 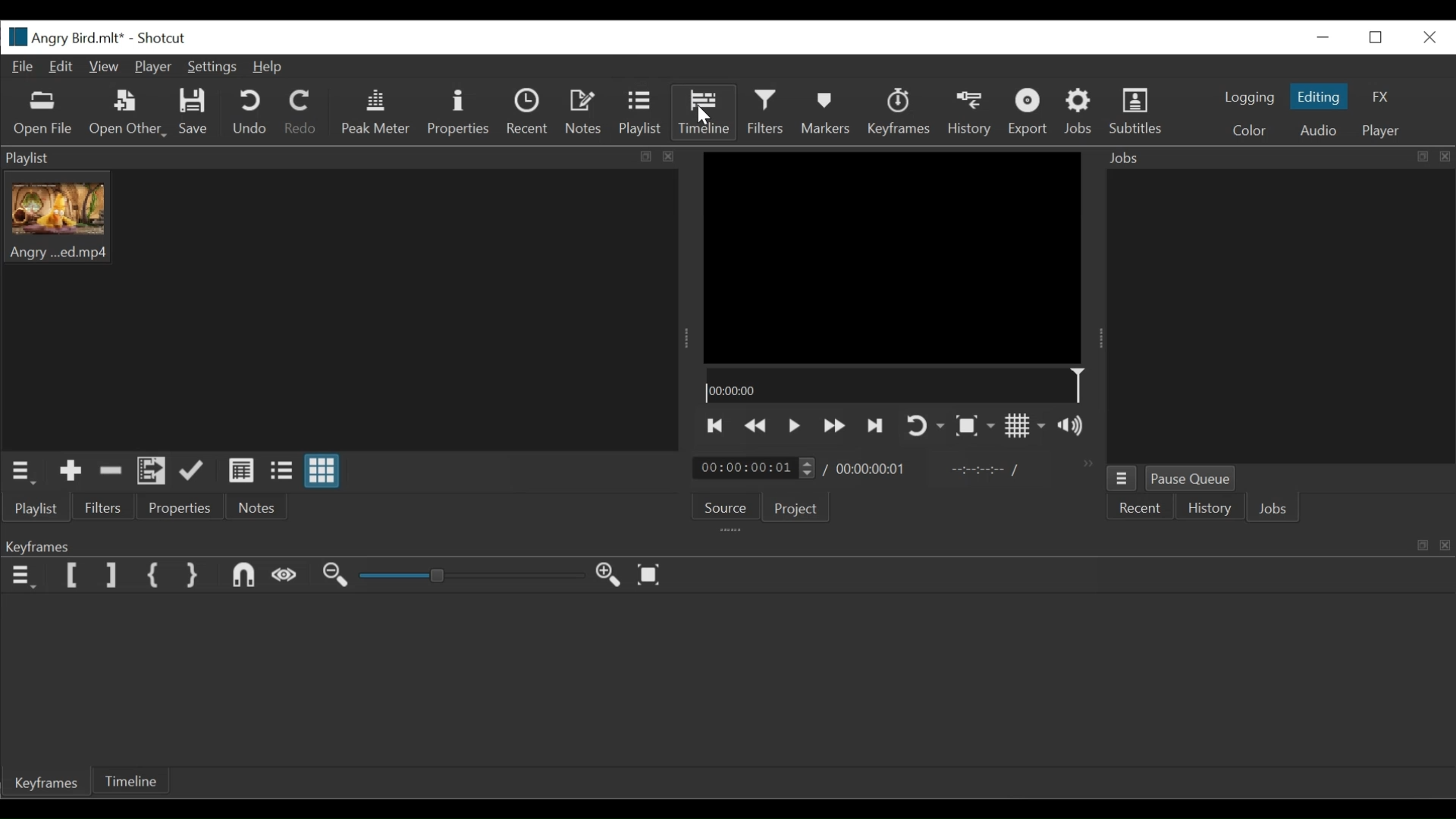 I want to click on Show volume control, so click(x=1073, y=427).